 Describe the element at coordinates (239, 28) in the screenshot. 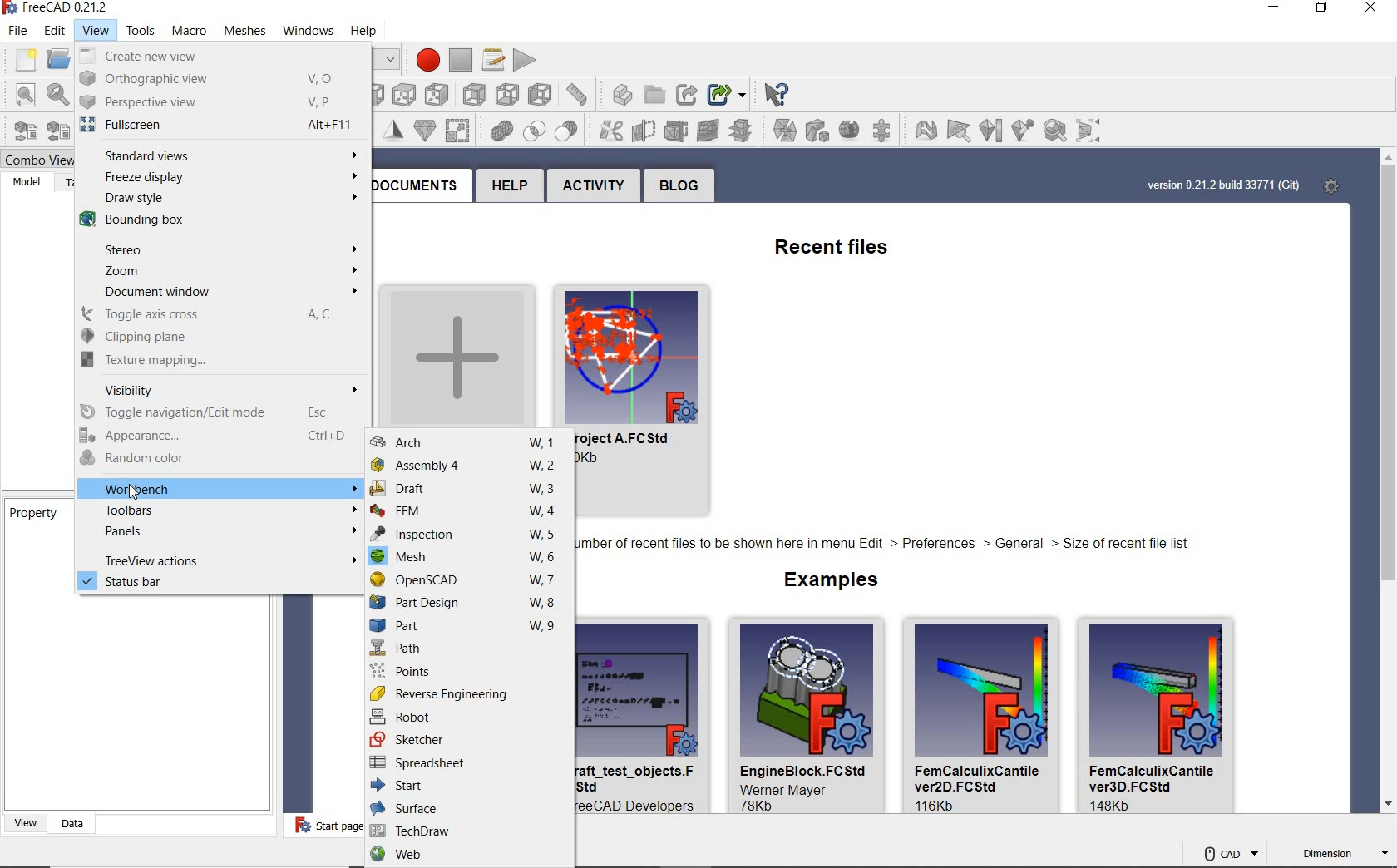

I see `meshes` at that location.